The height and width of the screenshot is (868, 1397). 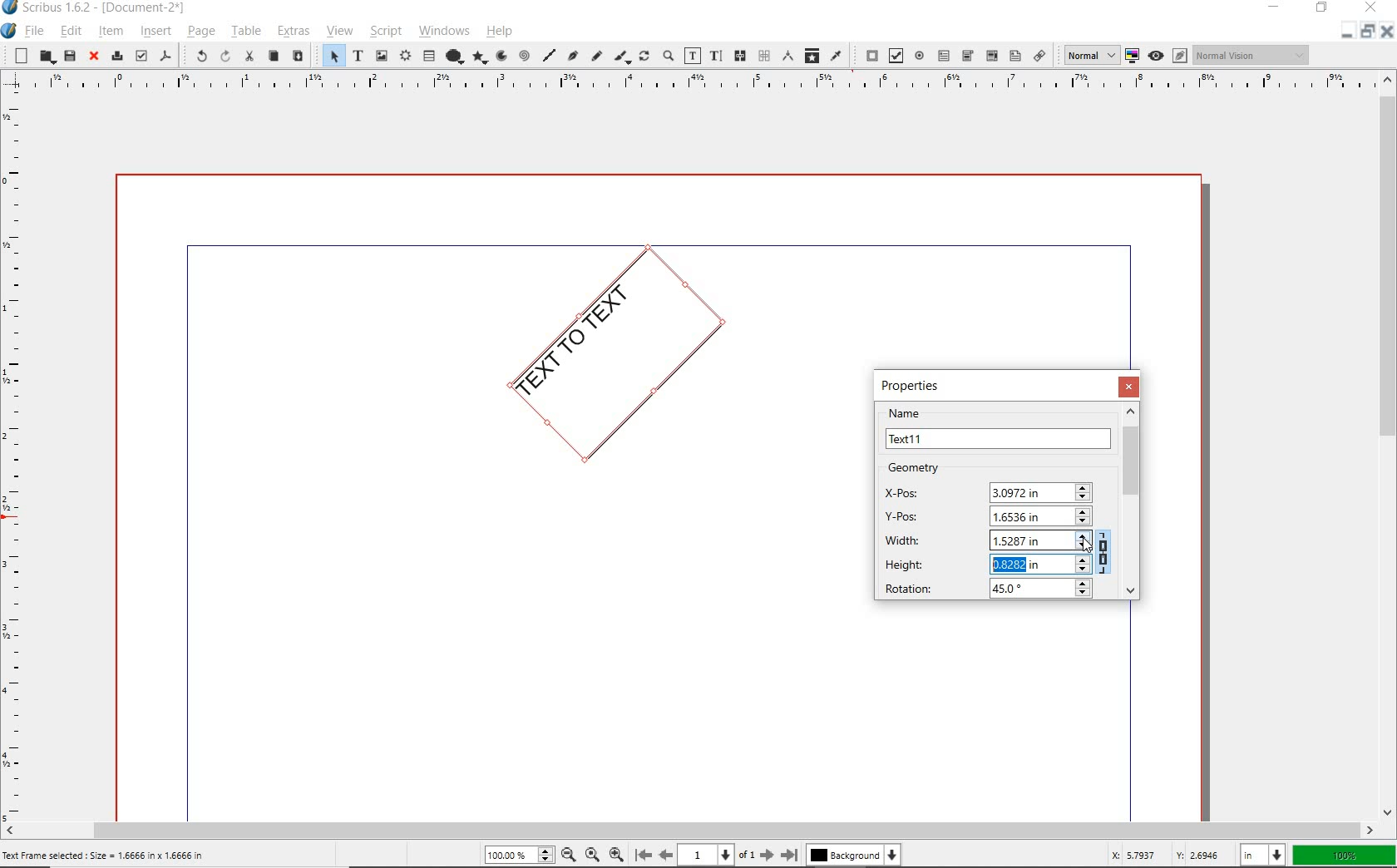 I want to click on pdf radio button, so click(x=919, y=56).